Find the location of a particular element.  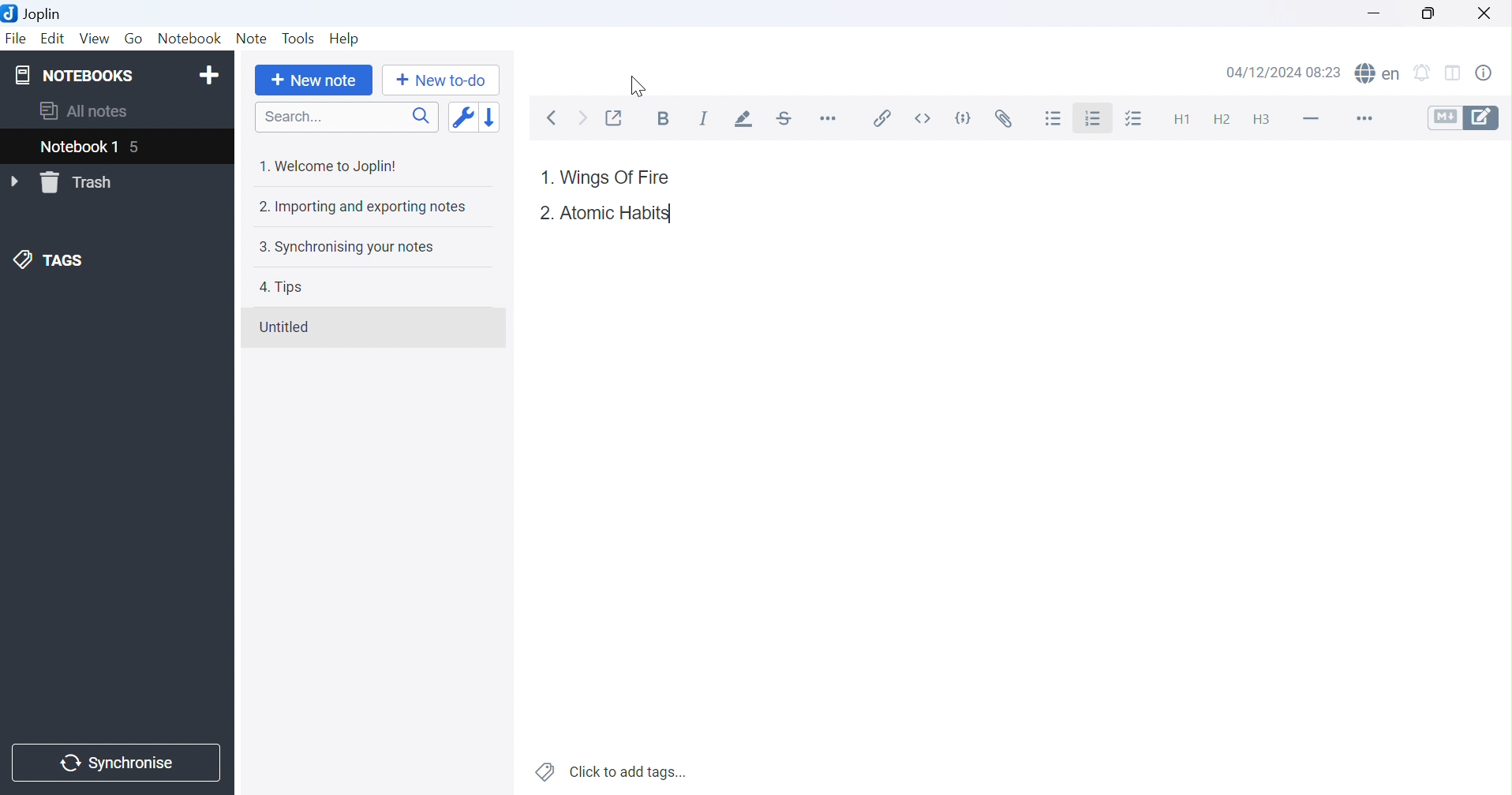

Toggle external editing is located at coordinates (616, 117).